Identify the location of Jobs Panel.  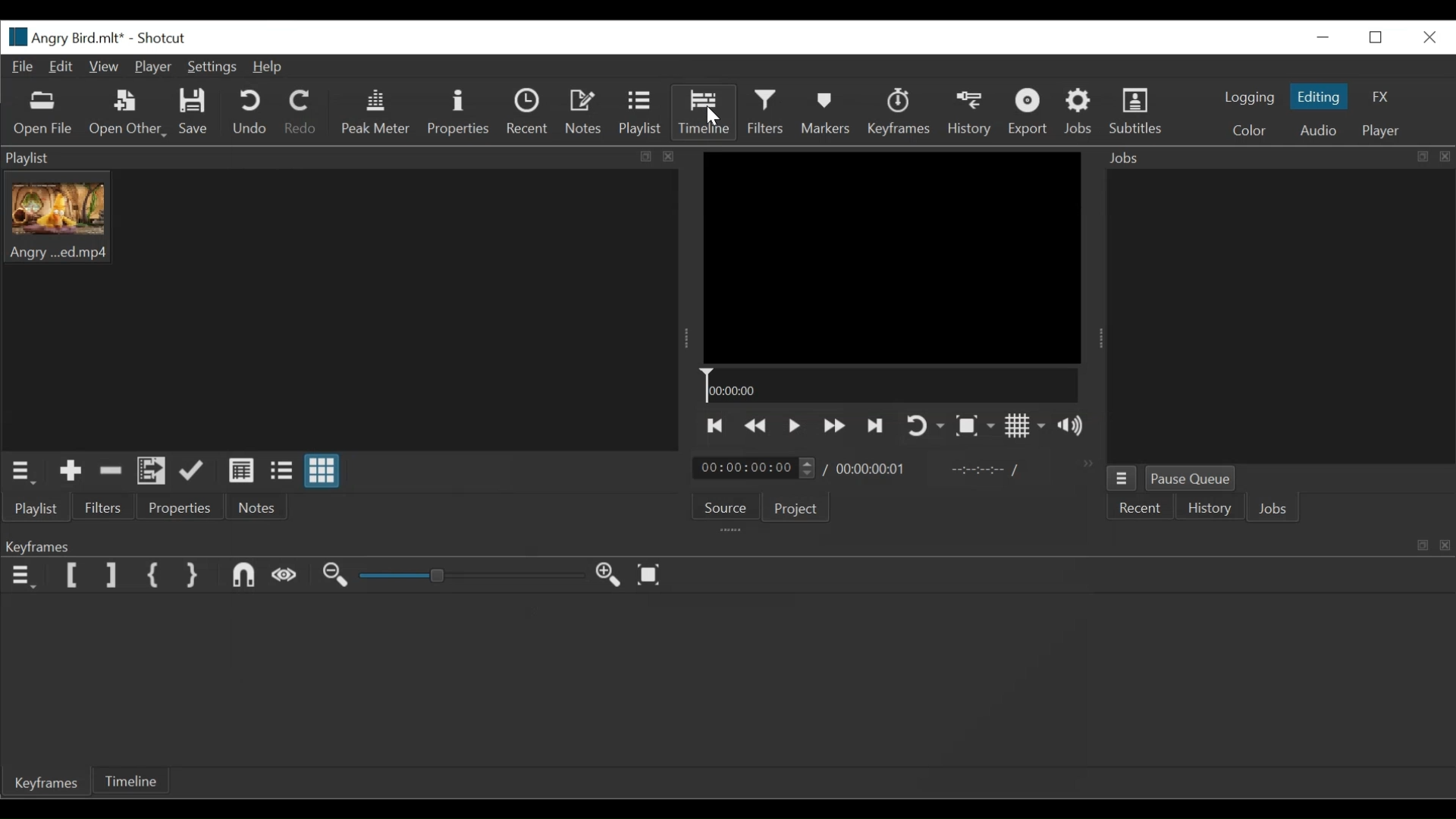
(1278, 158).